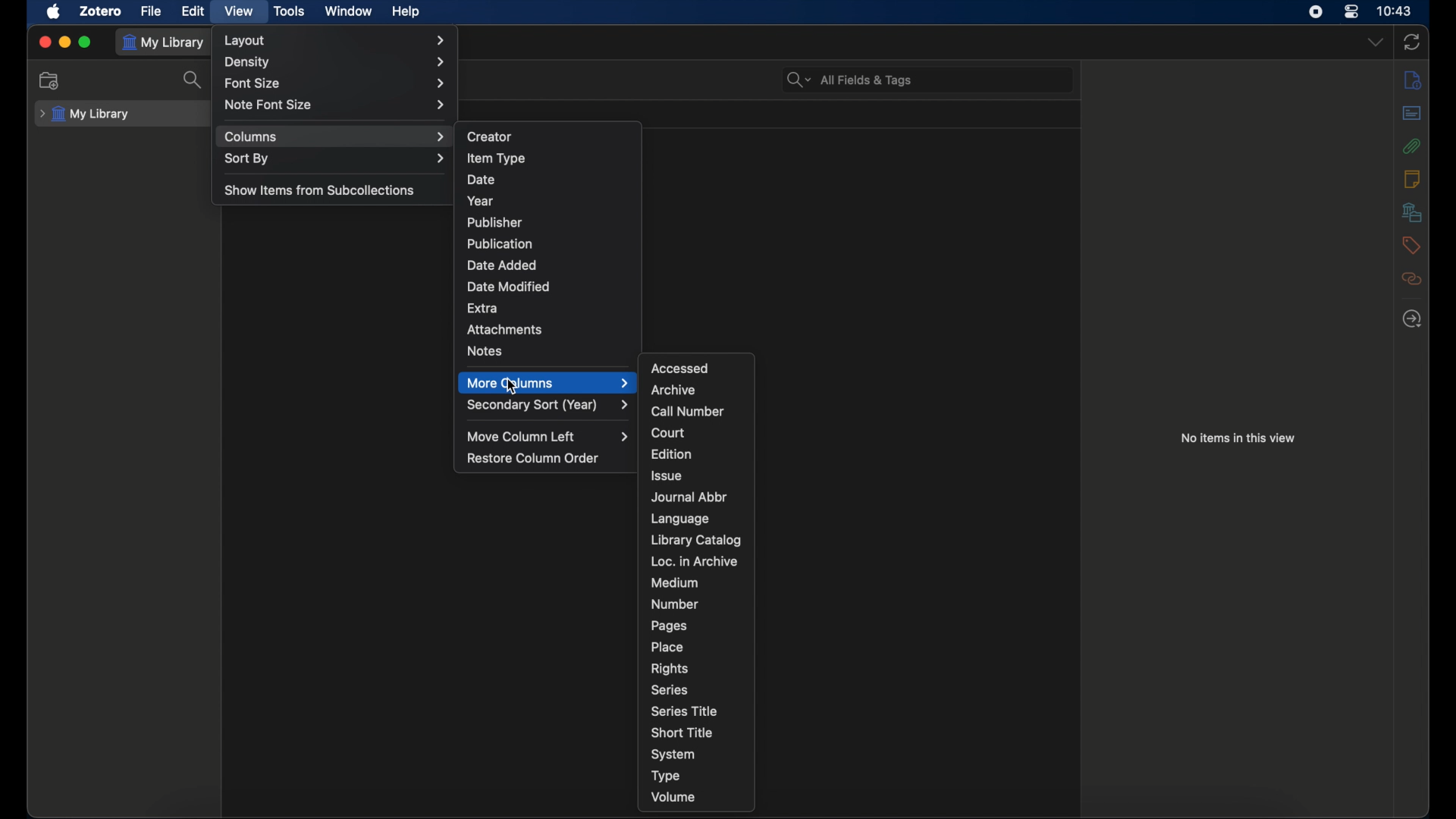  Describe the element at coordinates (496, 158) in the screenshot. I see `item type` at that location.